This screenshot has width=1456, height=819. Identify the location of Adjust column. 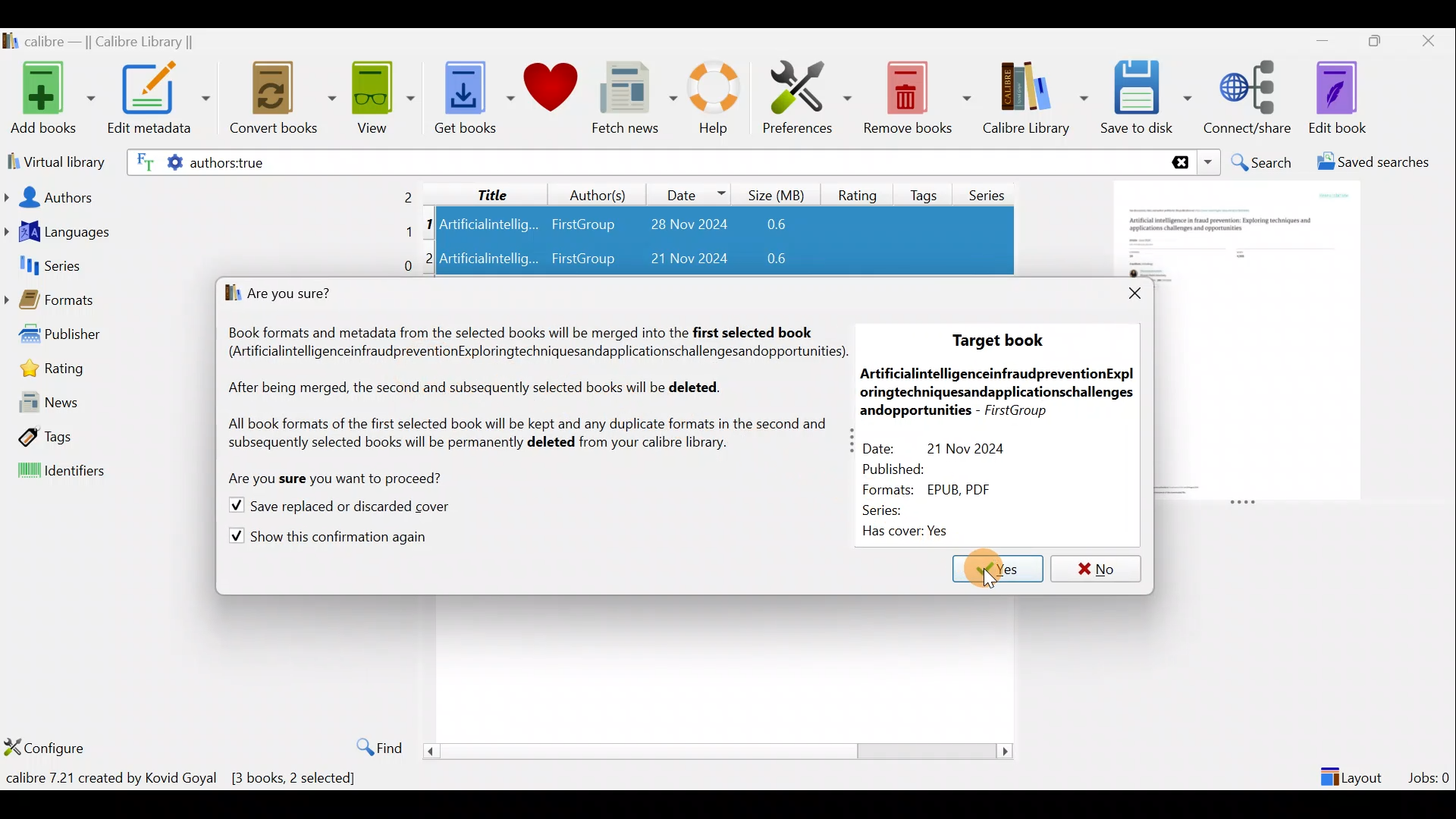
(852, 439).